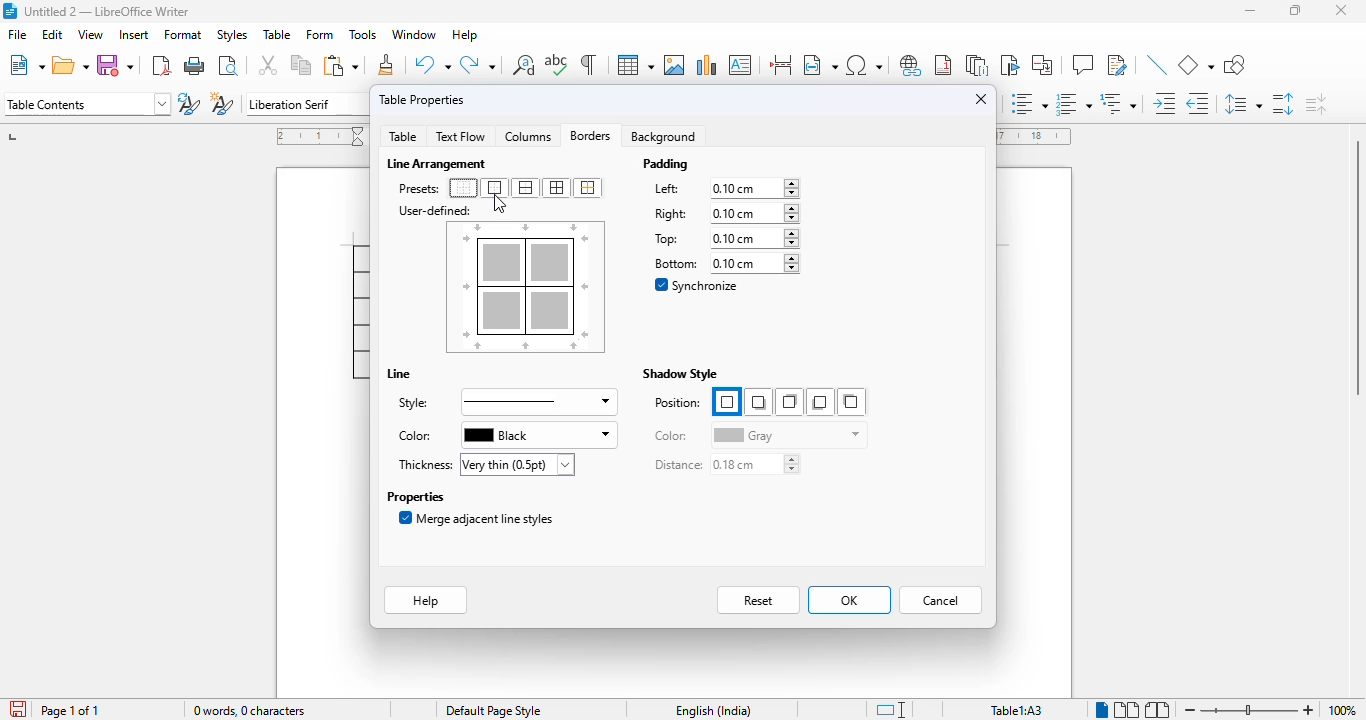  What do you see at coordinates (781, 64) in the screenshot?
I see `insert page break` at bounding box center [781, 64].